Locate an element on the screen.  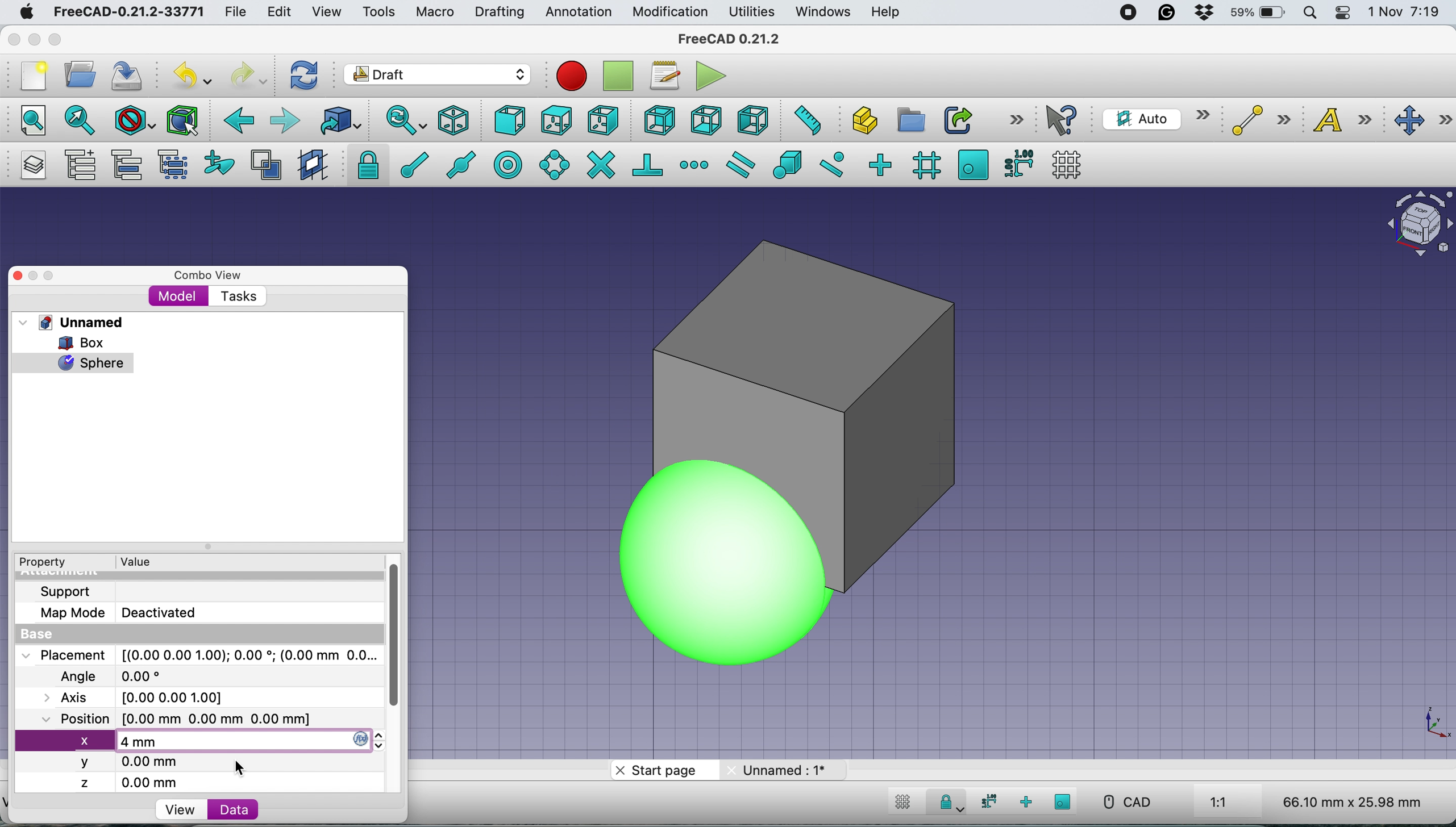
utilities is located at coordinates (753, 12).